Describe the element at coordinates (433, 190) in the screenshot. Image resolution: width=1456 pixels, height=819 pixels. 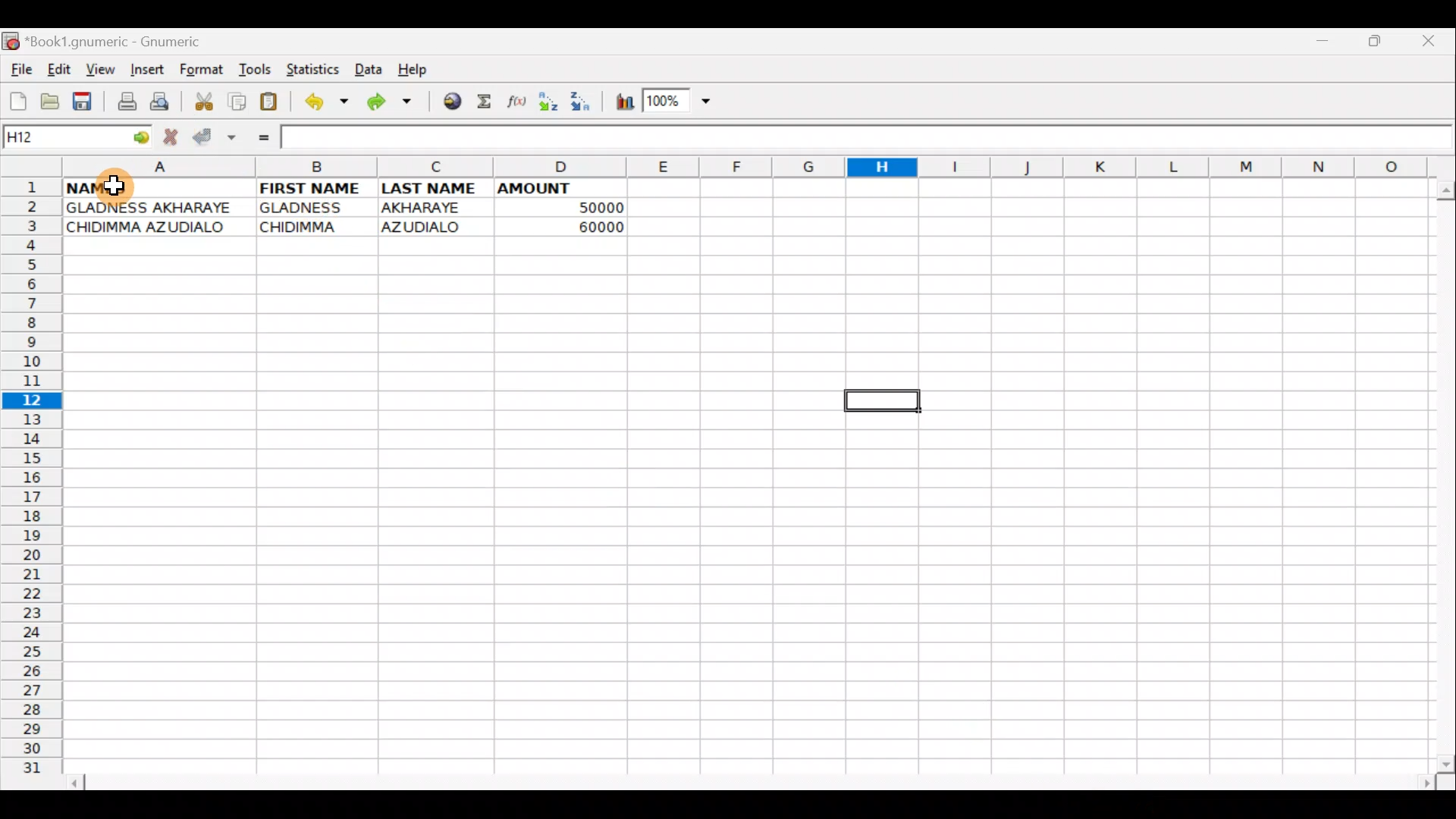
I see `LAST NAME` at that location.